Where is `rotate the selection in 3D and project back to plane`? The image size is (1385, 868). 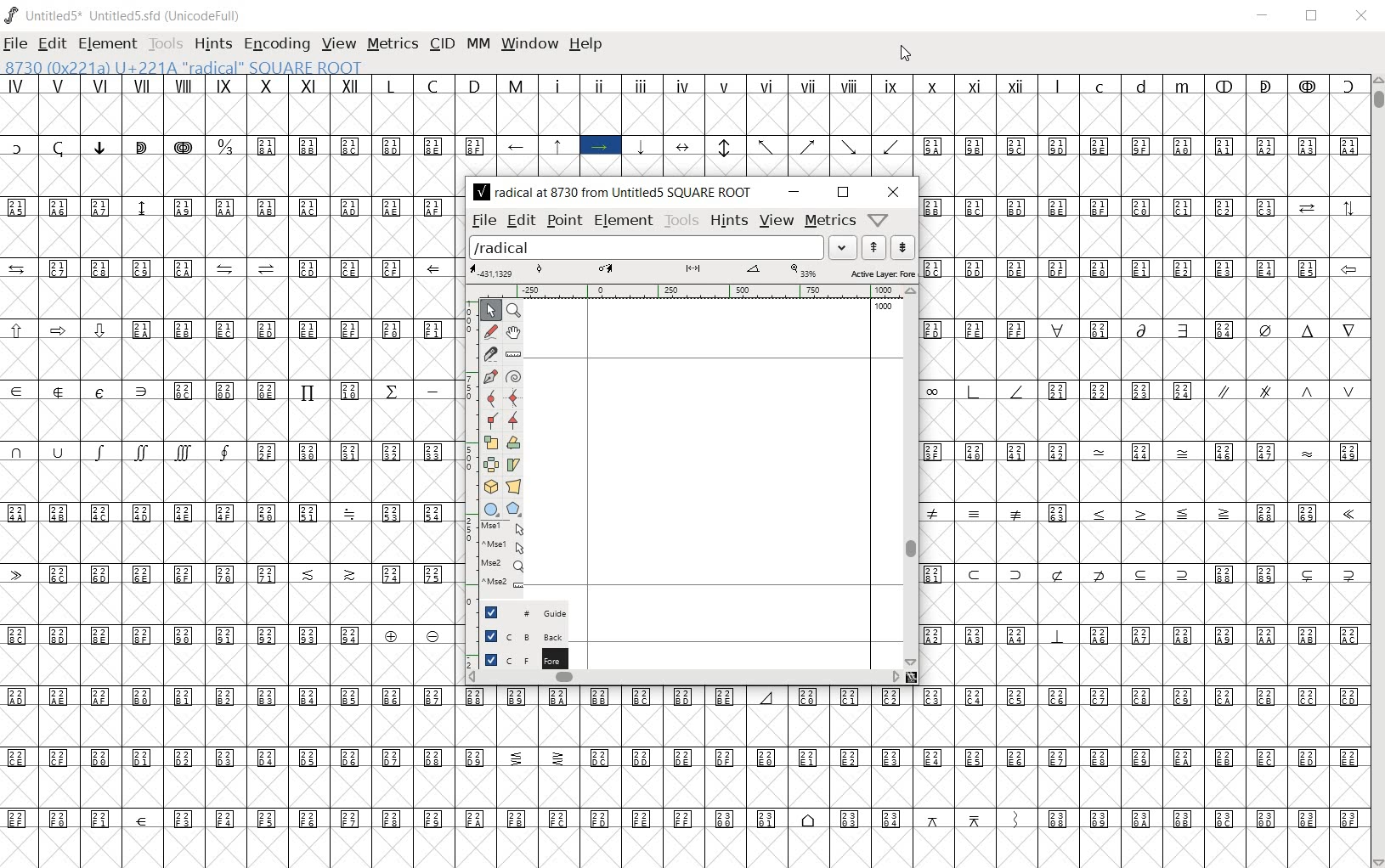
rotate the selection in 3D and project back to plane is located at coordinates (490, 488).